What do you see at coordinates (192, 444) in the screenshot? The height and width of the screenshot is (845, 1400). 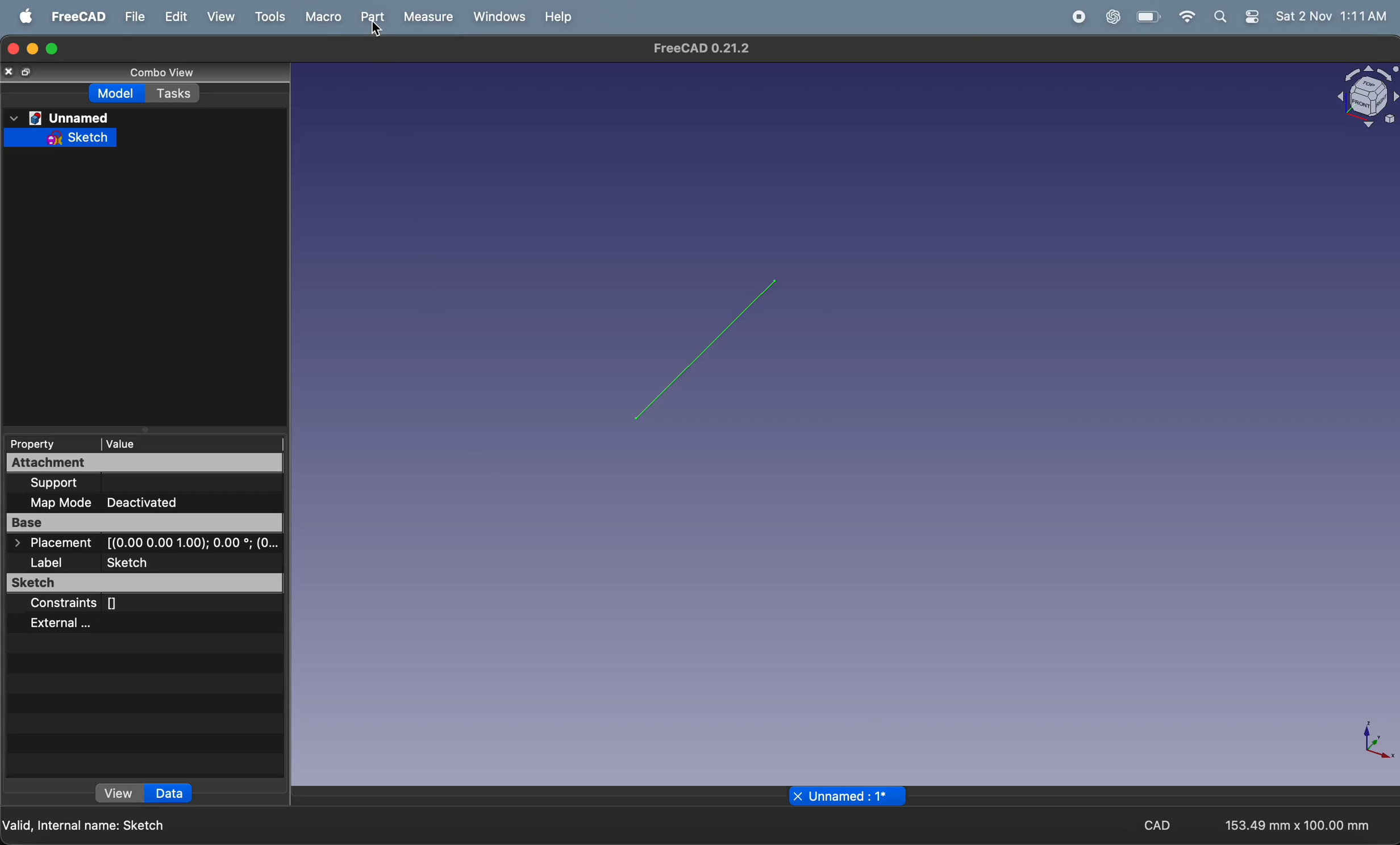 I see `value` at bounding box center [192, 444].